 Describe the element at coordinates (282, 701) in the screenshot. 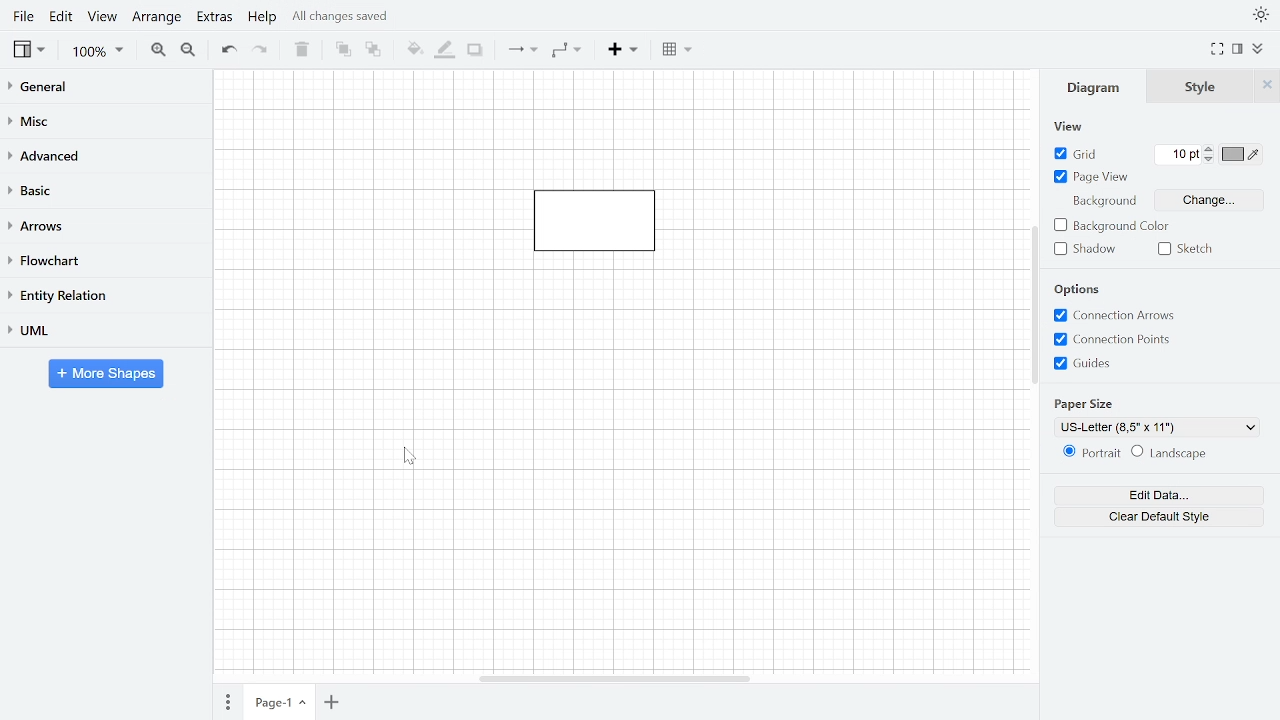

I see `Current page` at that location.